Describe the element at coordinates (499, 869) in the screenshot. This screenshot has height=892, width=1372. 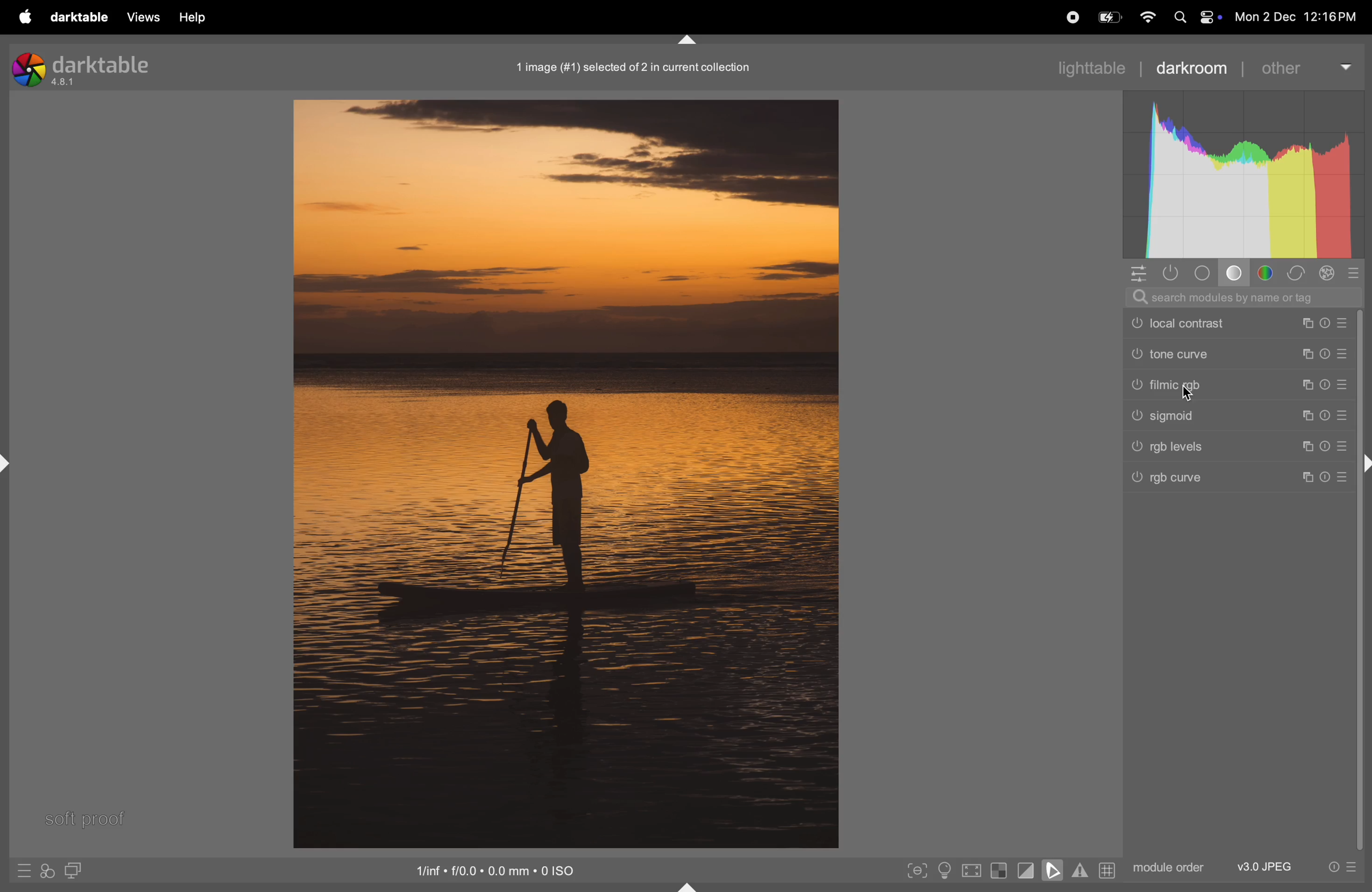
I see `iso` at that location.